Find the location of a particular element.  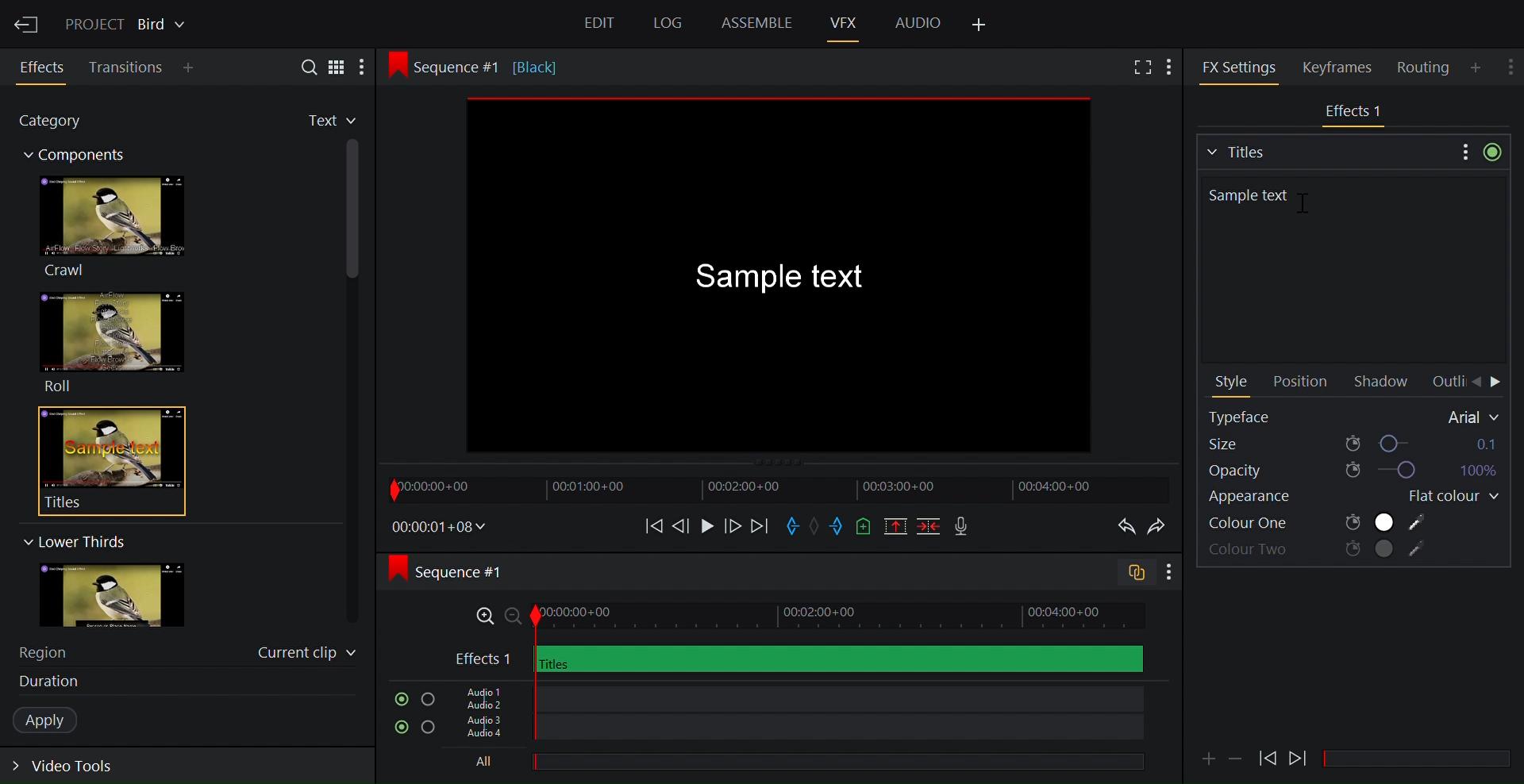

Audio Track 1, Audio Track 2 is located at coordinates (794, 697).